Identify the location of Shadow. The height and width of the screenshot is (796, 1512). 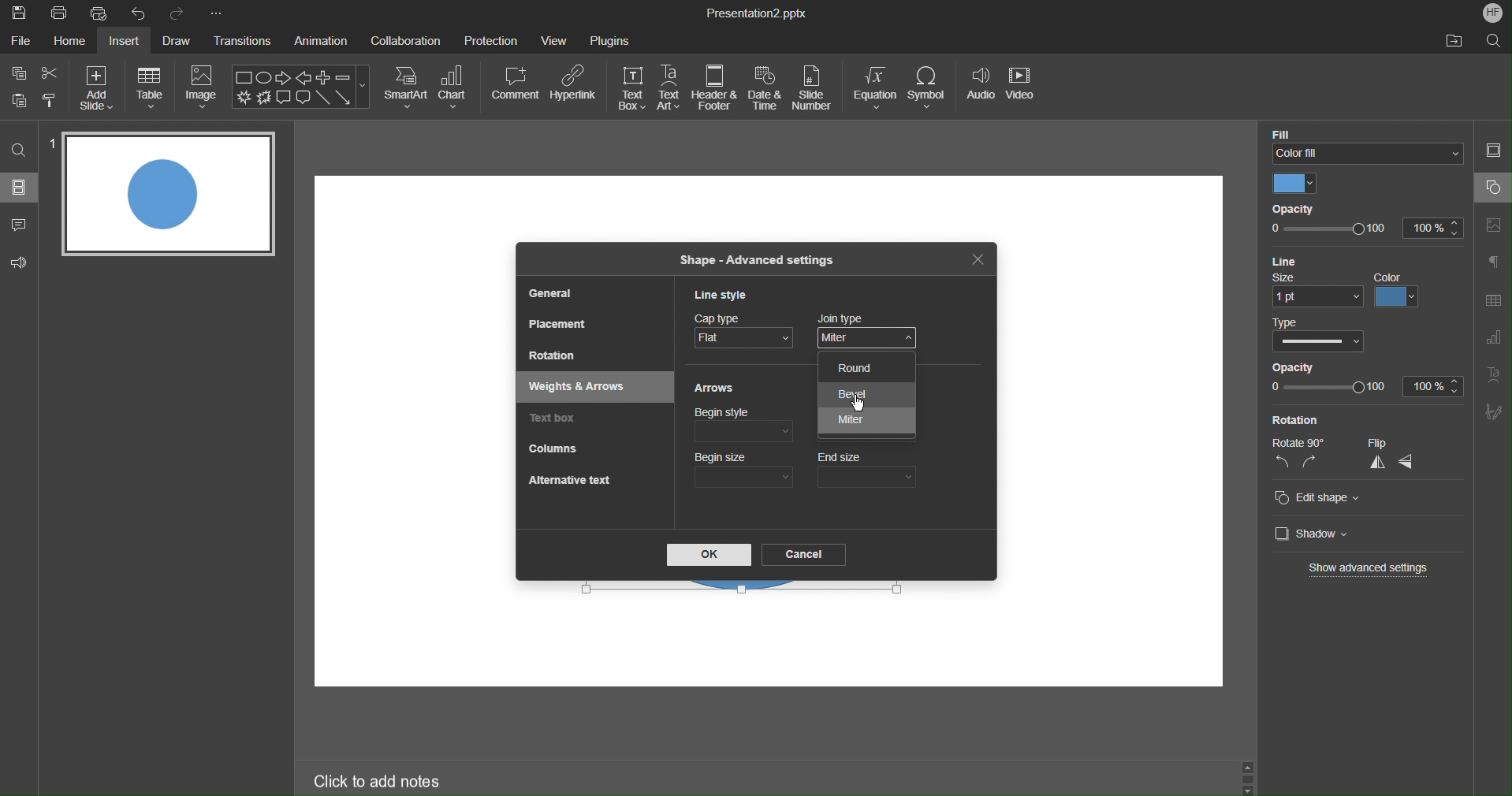
(1307, 534).